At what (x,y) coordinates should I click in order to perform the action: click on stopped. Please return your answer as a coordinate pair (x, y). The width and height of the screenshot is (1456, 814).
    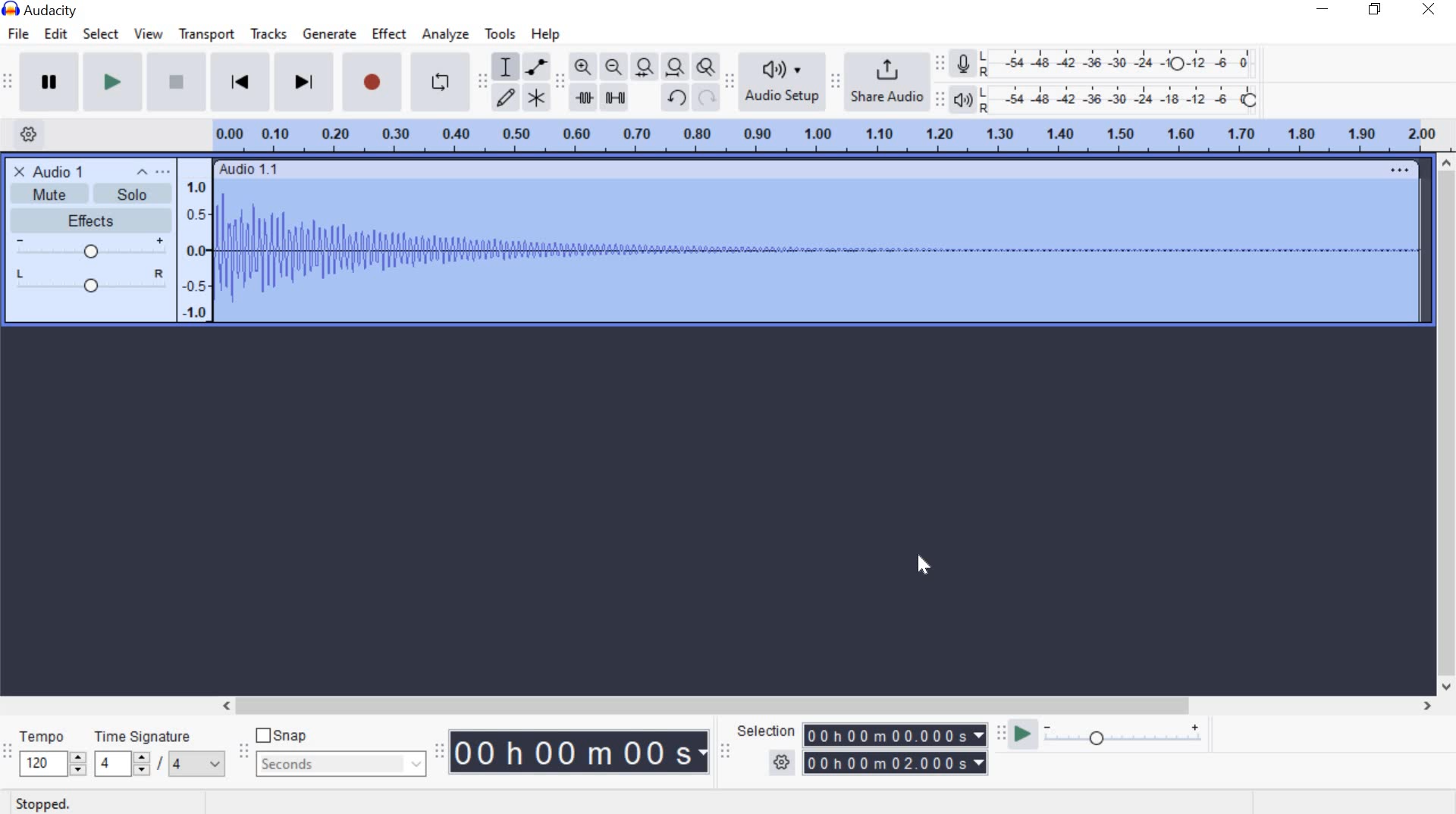
    Looking at the image, I should click on (38, 805).